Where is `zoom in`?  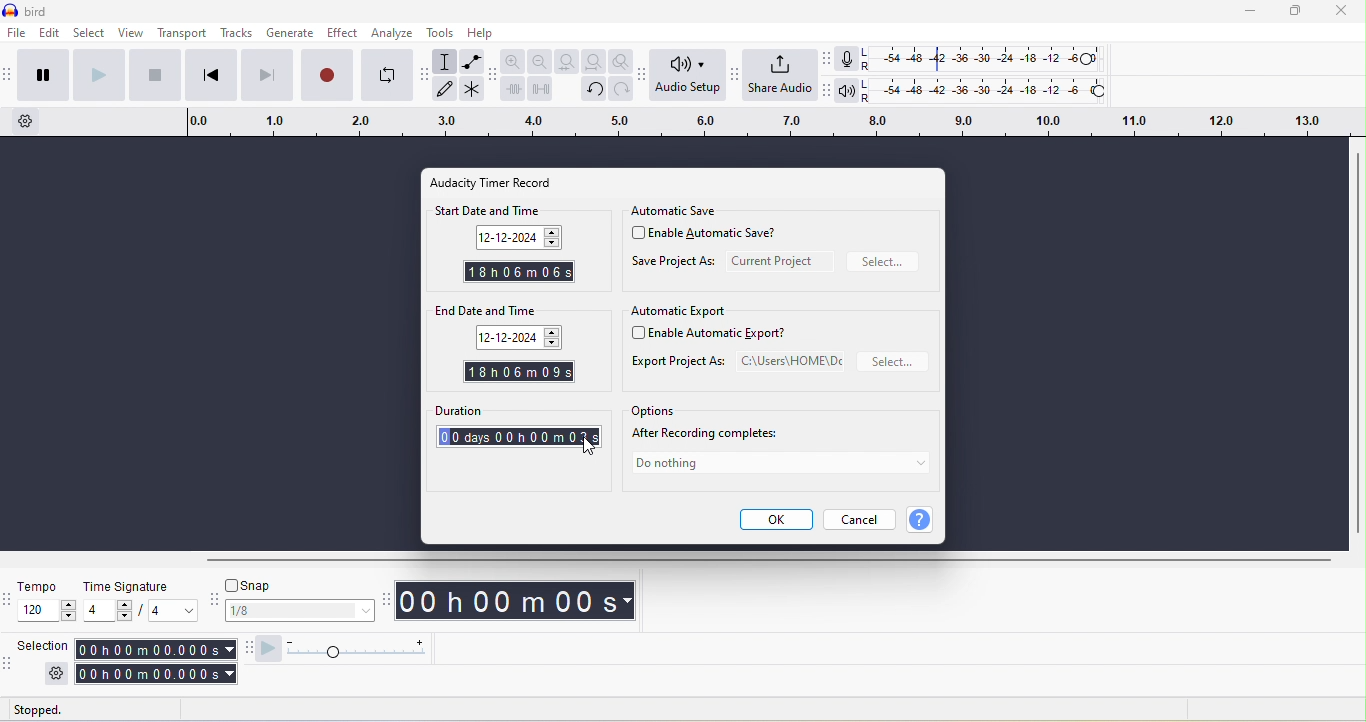
zoom in is located at coordinates (516, 61).